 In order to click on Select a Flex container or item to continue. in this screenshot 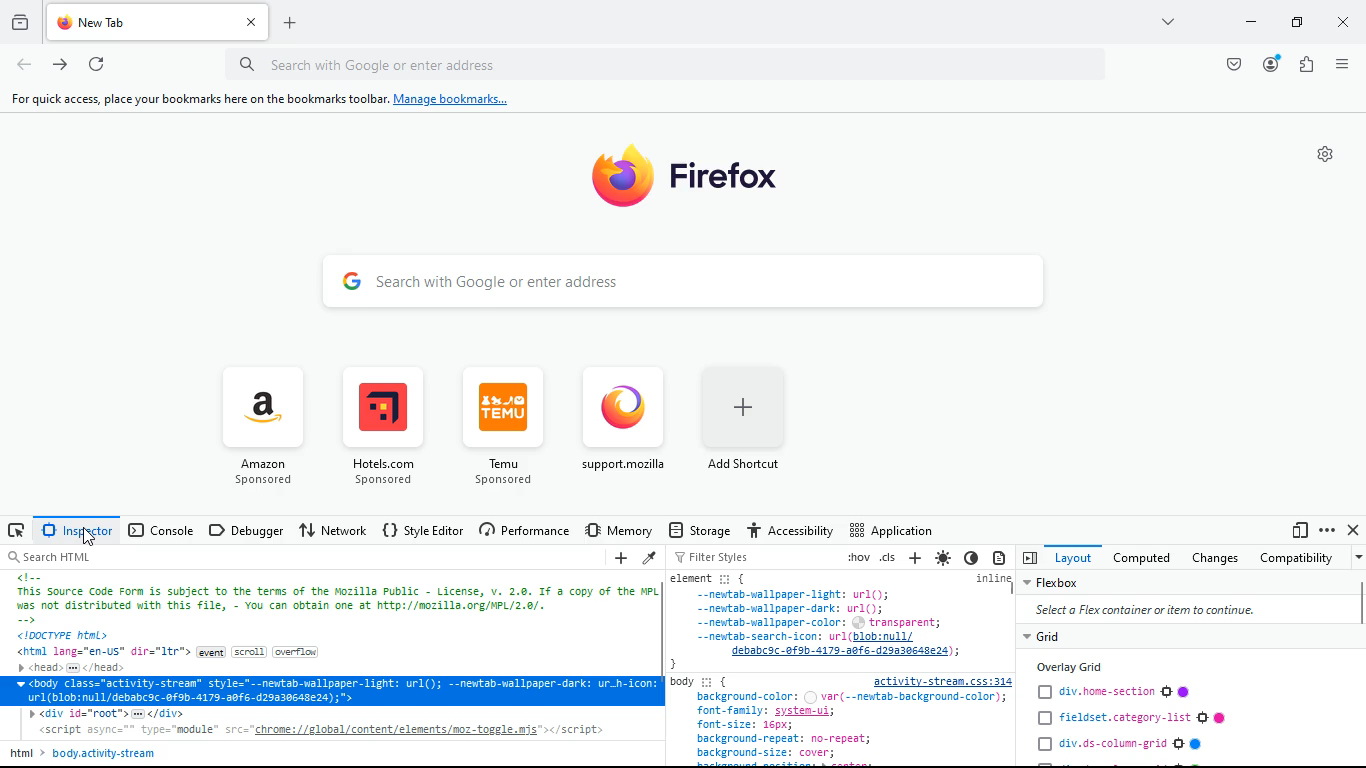, I will do `click(1140, 613)`.